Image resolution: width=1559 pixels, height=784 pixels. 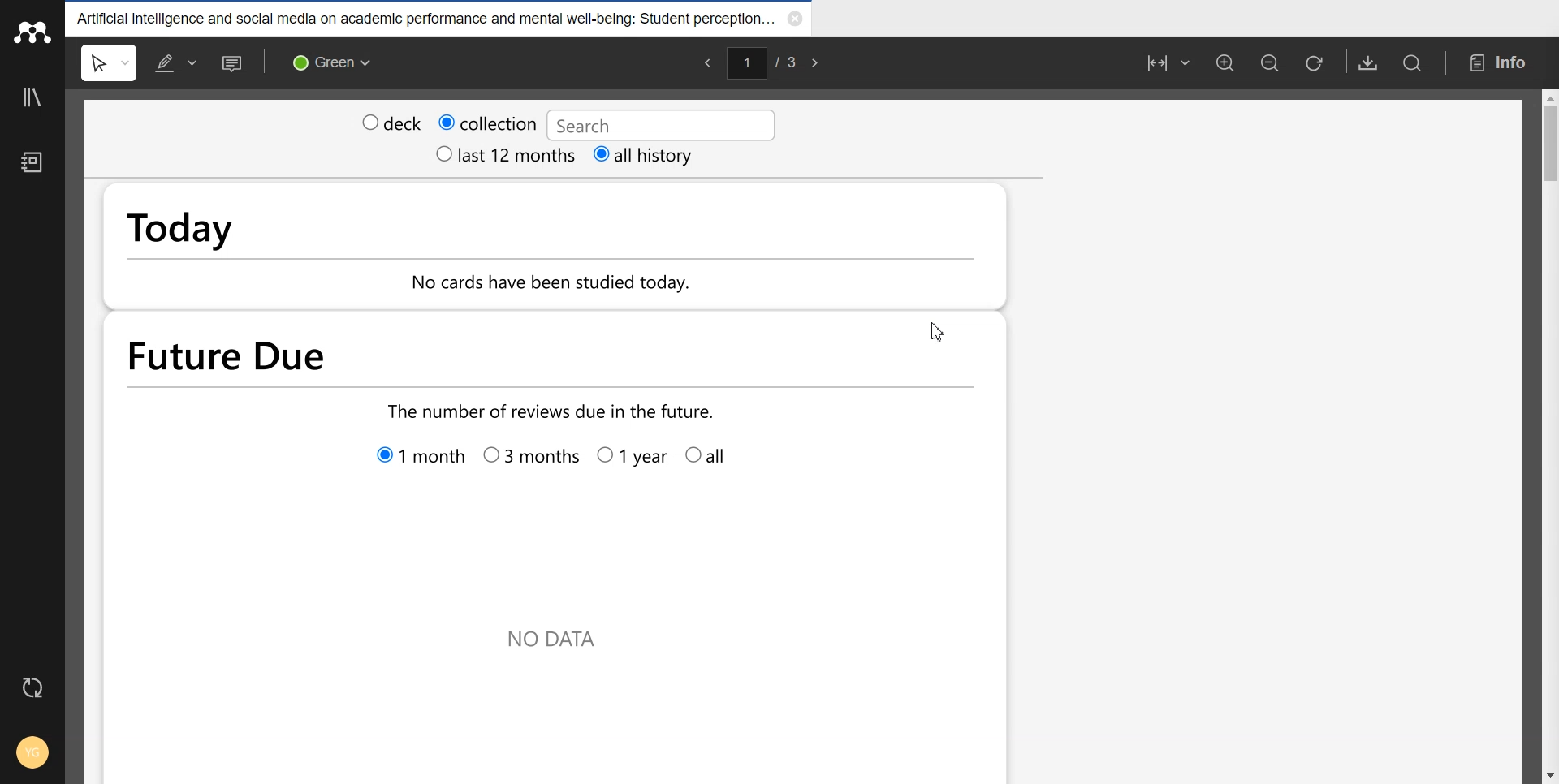 What do you see at coordinates (293, 219) in the screenshot?
I see `Today` at bounding box center [293, 219].